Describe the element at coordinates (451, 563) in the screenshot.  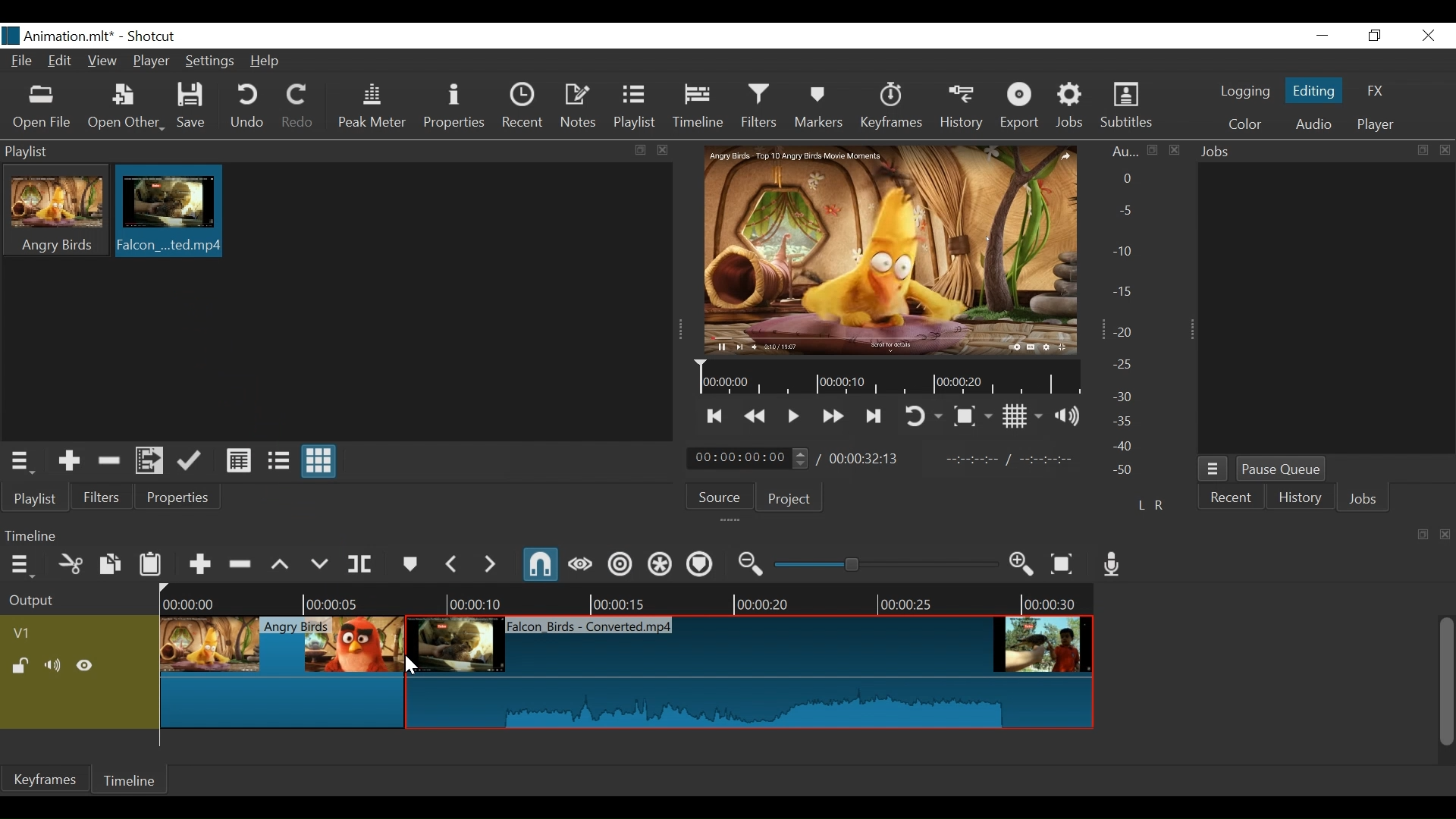
I see `Previous Marker` at that location.